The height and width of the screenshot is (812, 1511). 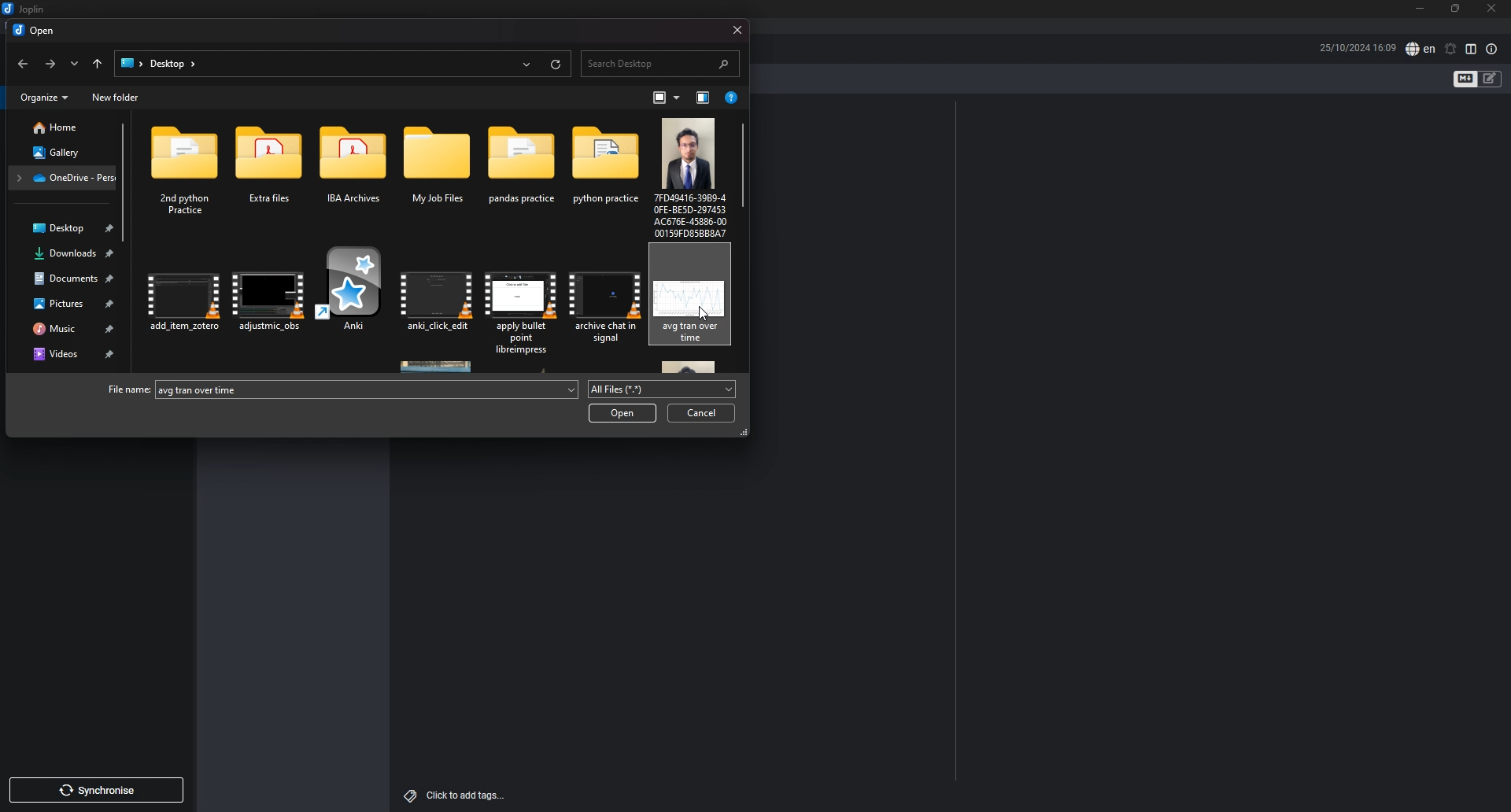 What do you see at coordinates (36, 31) in the screenshot?
I see `open` at bounding box center [36, 31].